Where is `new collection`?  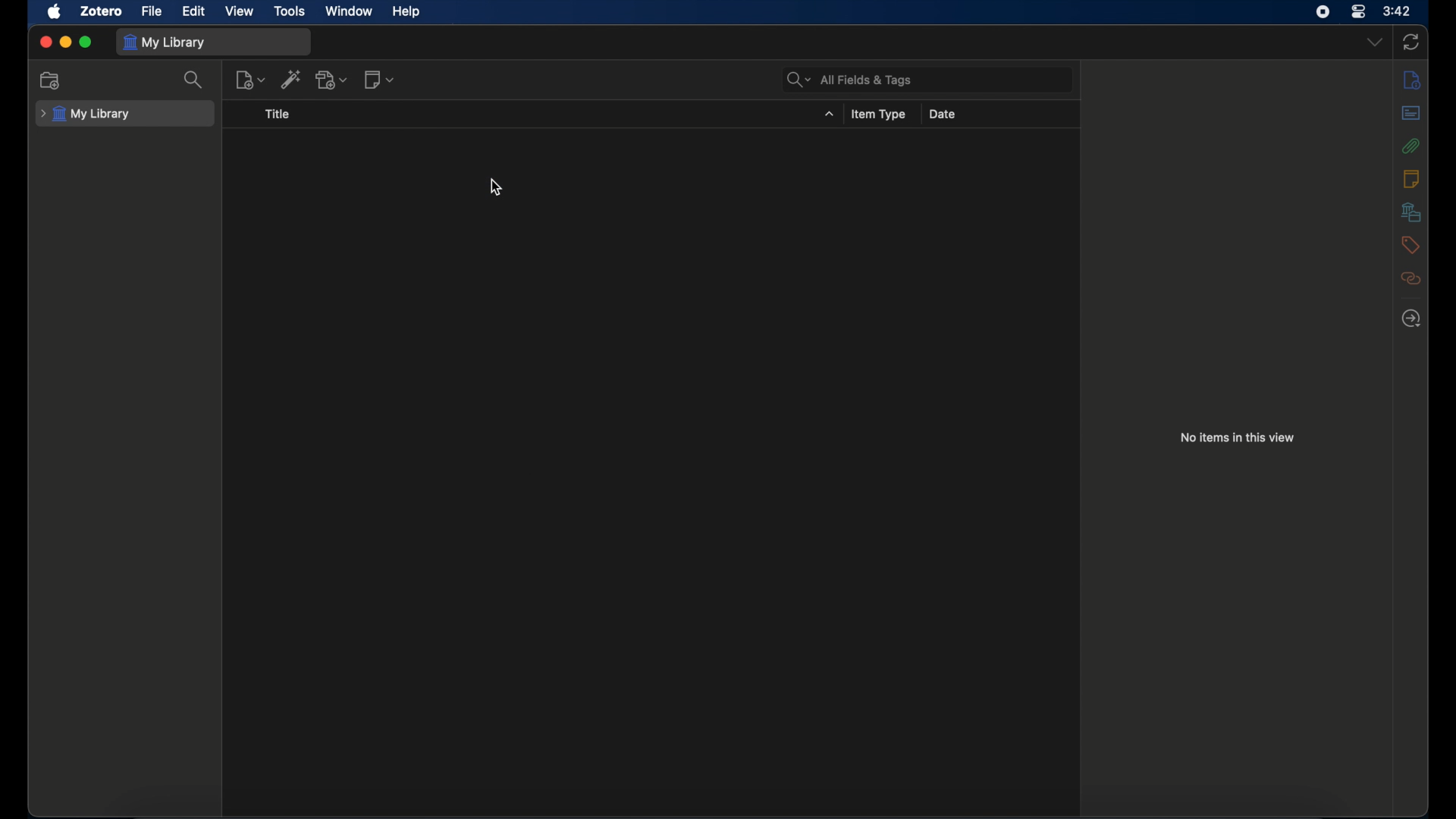 new collection is located at coordinates (52, 81).